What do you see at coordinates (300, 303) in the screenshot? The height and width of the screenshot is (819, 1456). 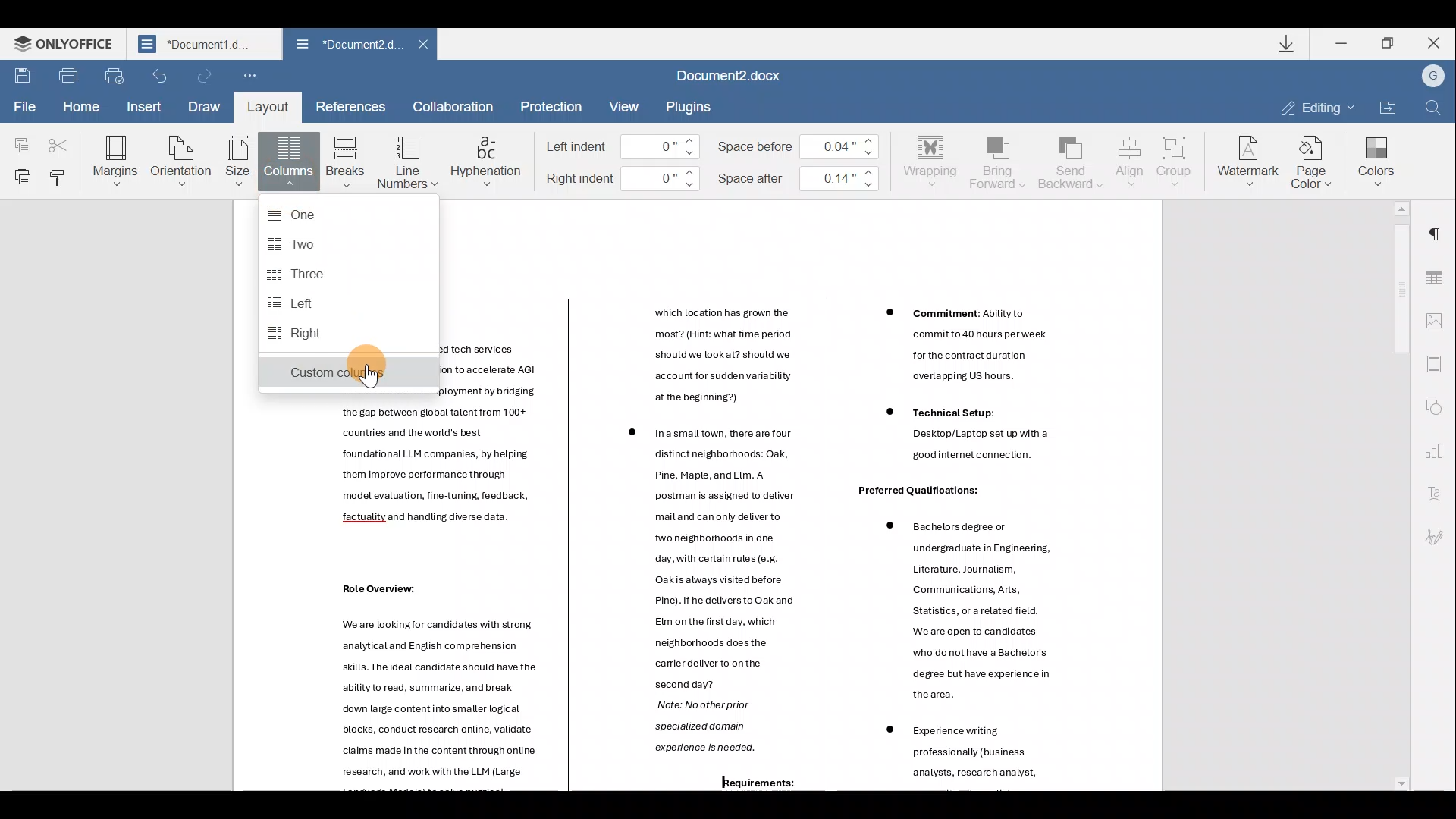 I see `Left` at bounding box center [300, 303].